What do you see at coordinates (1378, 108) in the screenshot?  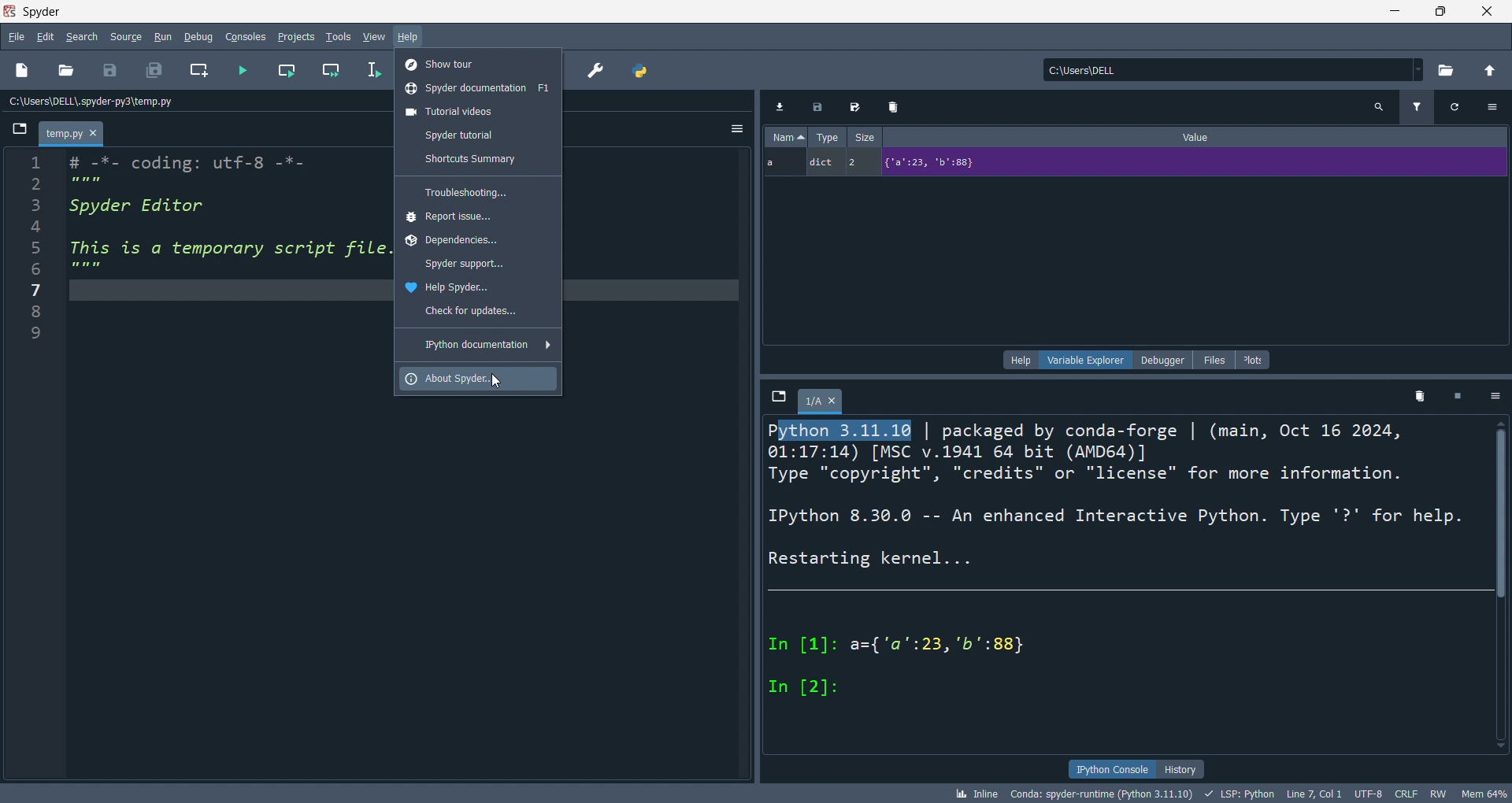 I see `Search` at bounding box center [1378, 108].